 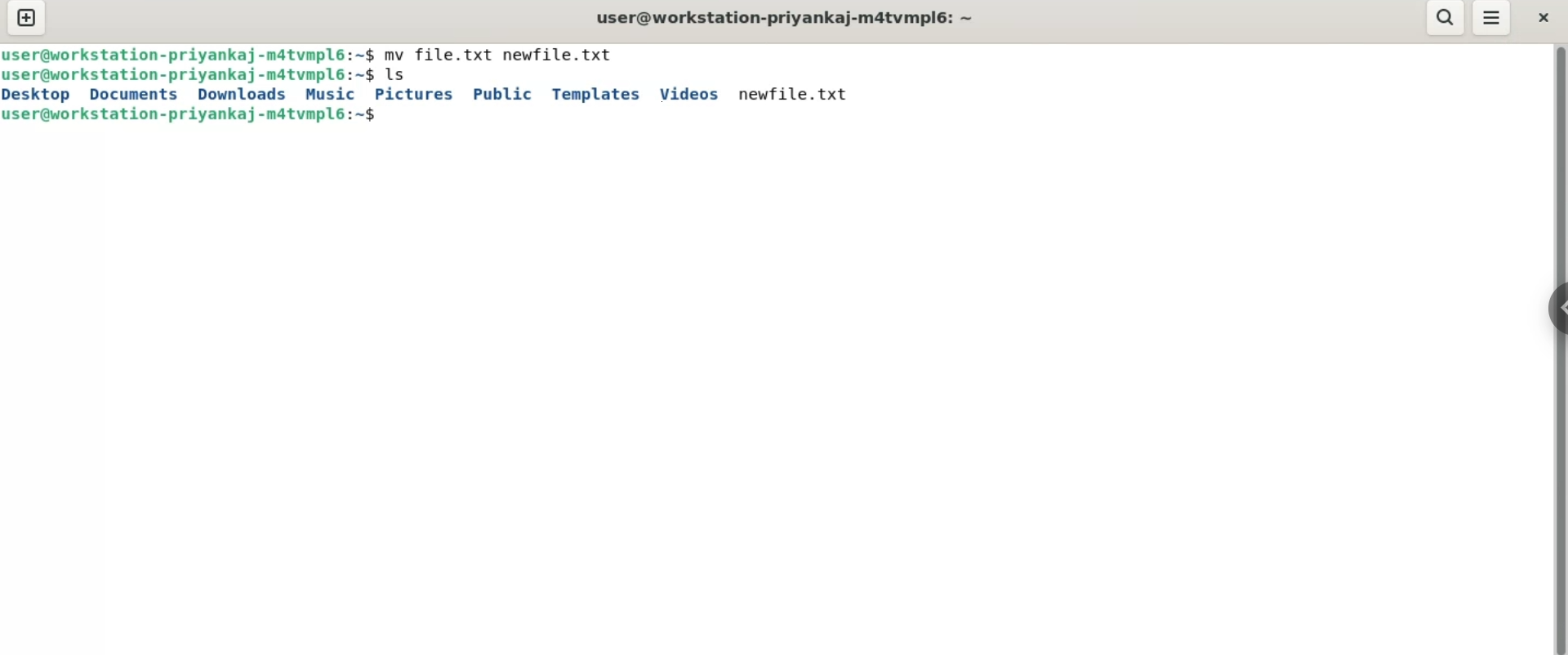 What do you see at coordinates (782, 16) in the screenshot?
I see `user@workstation-priyankaj-matvmpl6:~` at bounding box center [782, 16].